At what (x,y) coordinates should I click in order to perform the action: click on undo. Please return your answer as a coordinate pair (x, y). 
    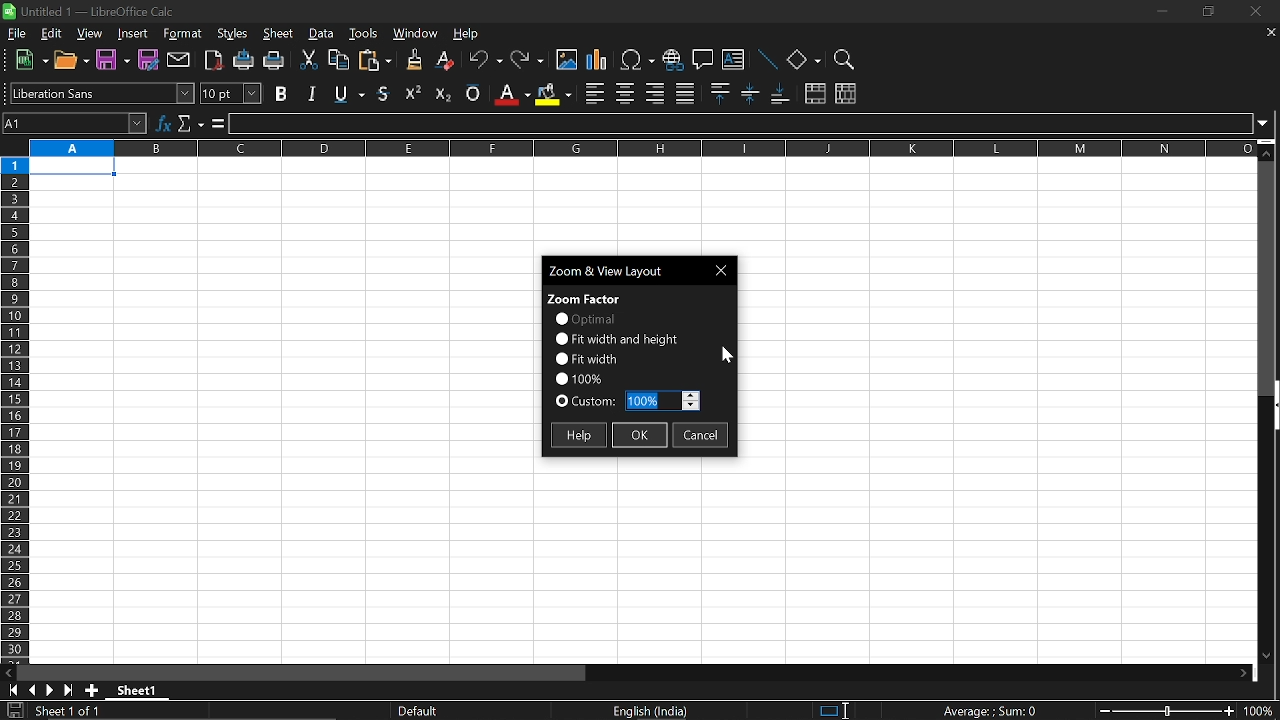
    Looking at the image, I should click on (486, 62).